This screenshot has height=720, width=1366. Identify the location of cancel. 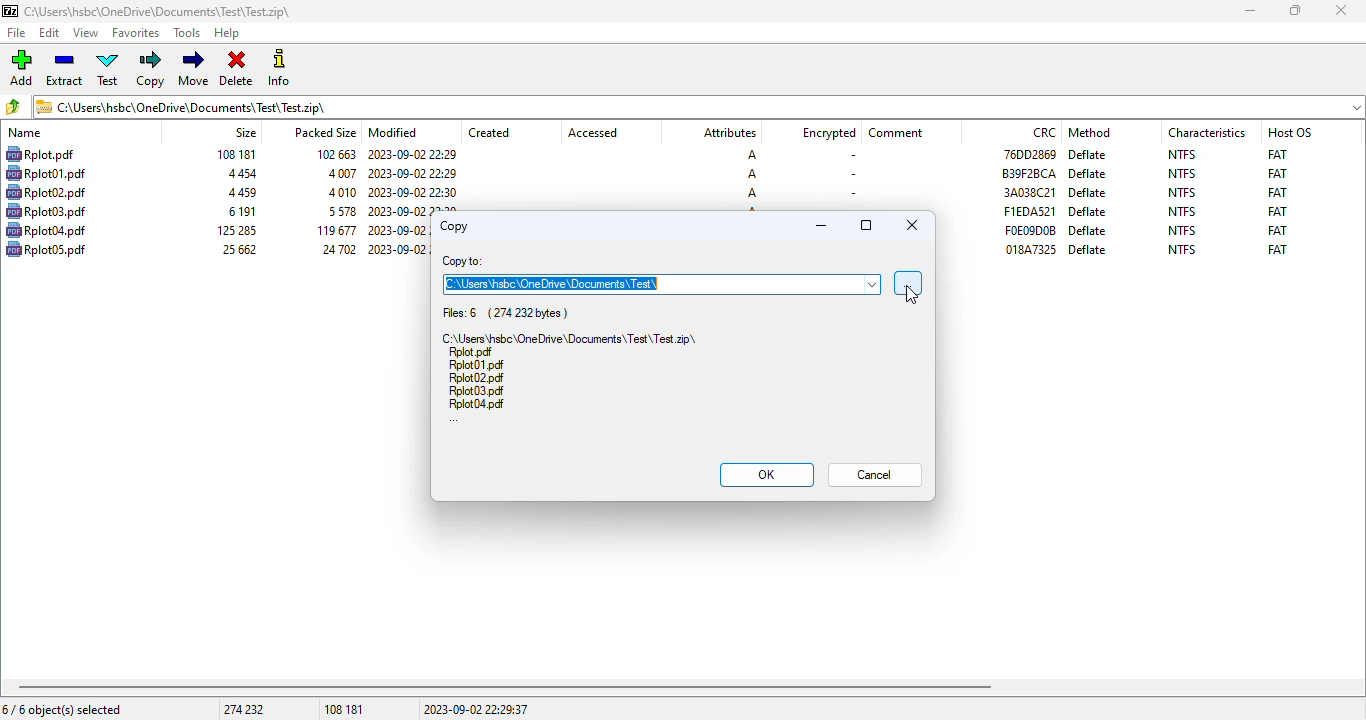
(875, 475).